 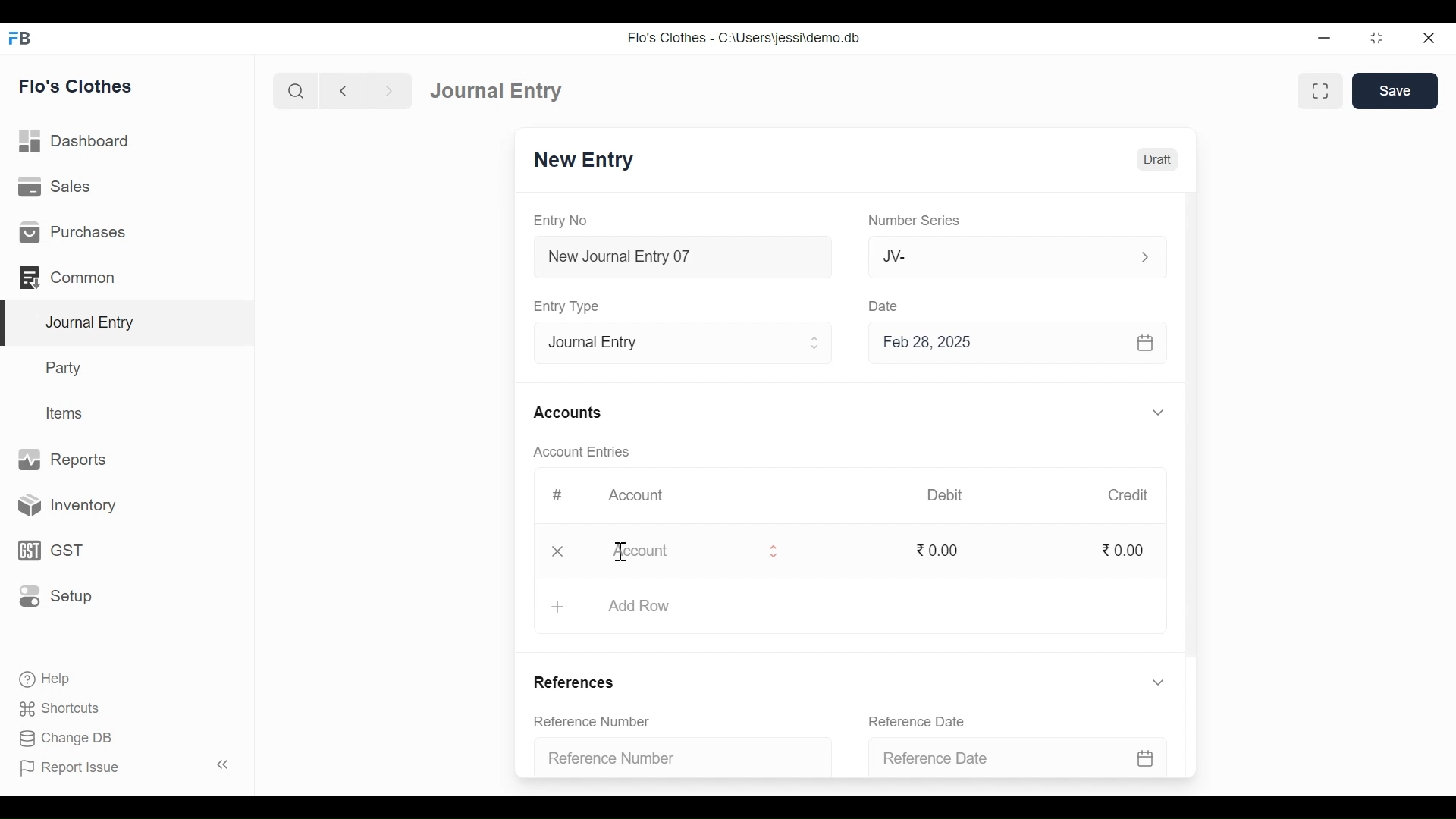 What do you see at coordinates (567, 413) in the screenshot?
I see `Accounts` at bounding box center [567, 413].